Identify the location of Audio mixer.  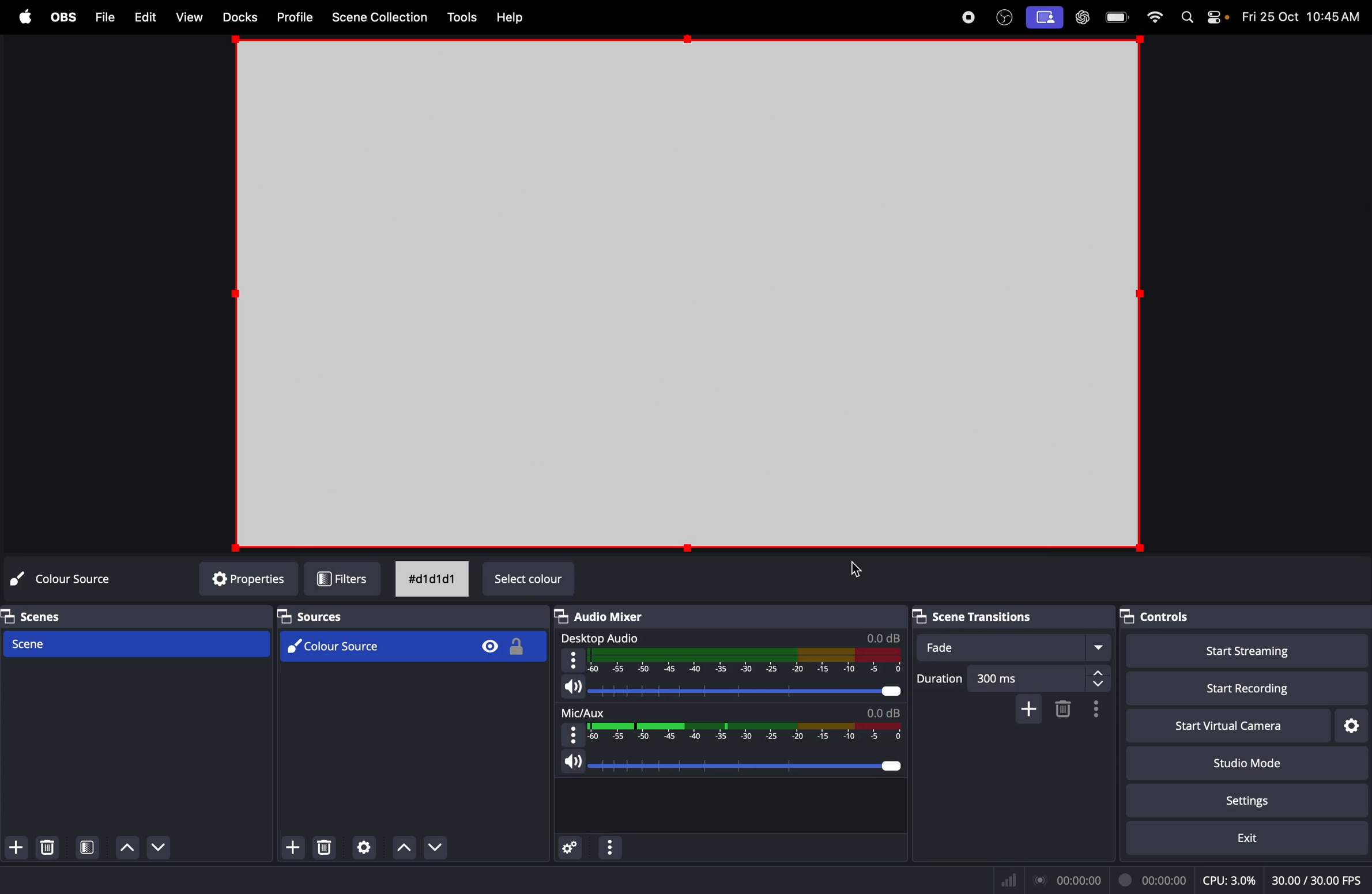
(603, 617).